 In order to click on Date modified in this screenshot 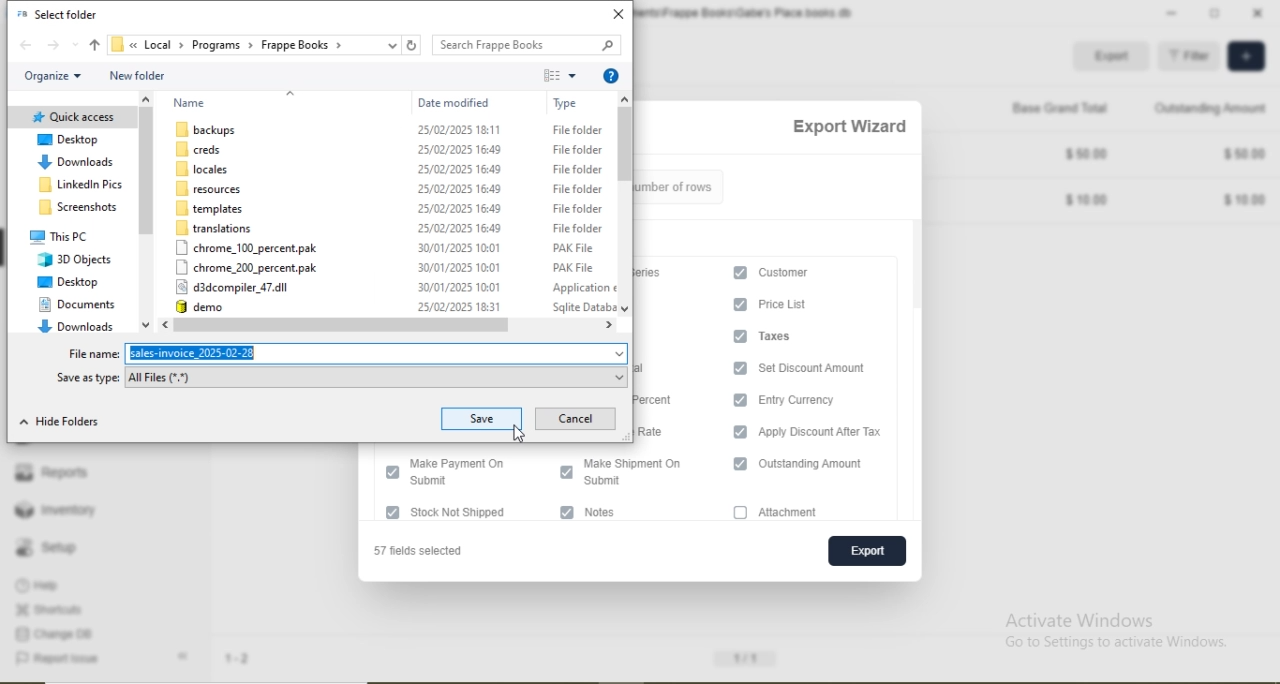, I will do `click(456, 104)`.